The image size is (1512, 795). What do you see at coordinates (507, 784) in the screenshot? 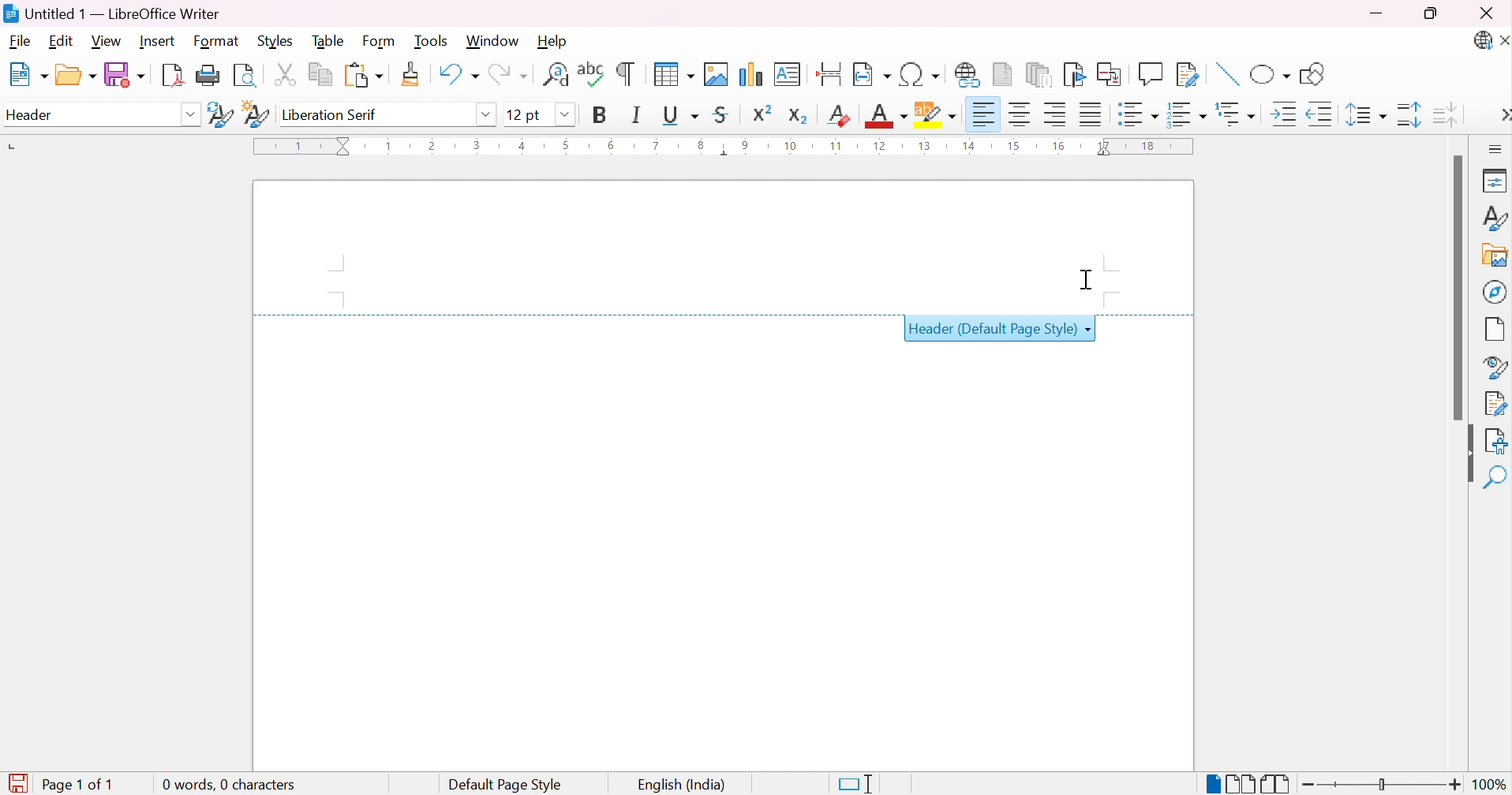
I see `Default page style` at bounding box center [507, 784].